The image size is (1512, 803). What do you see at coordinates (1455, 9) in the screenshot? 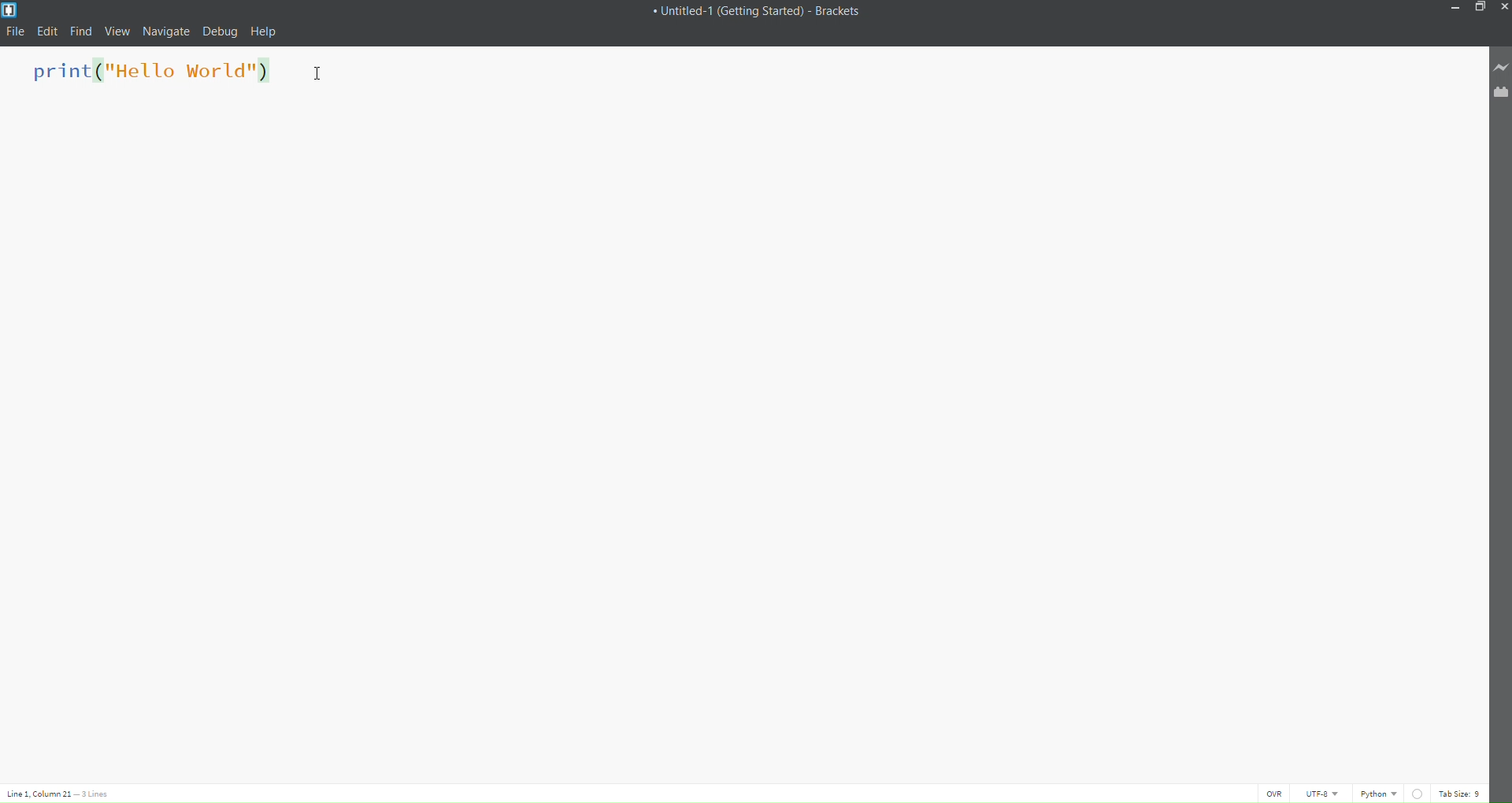
I see `minimize` at bounding box center [1455, 9].